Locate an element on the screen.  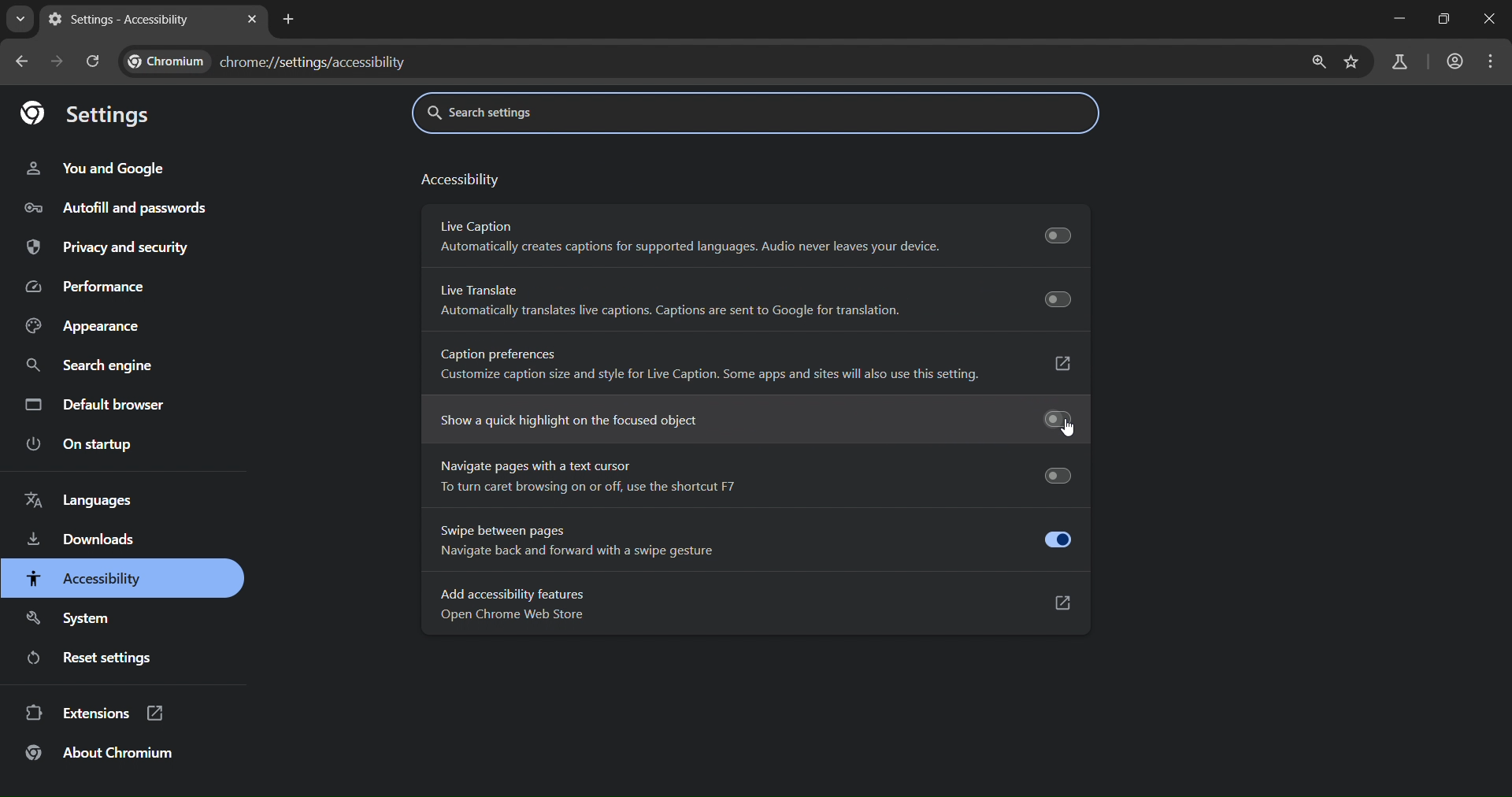
reload page is located at coordinates (93, 64).